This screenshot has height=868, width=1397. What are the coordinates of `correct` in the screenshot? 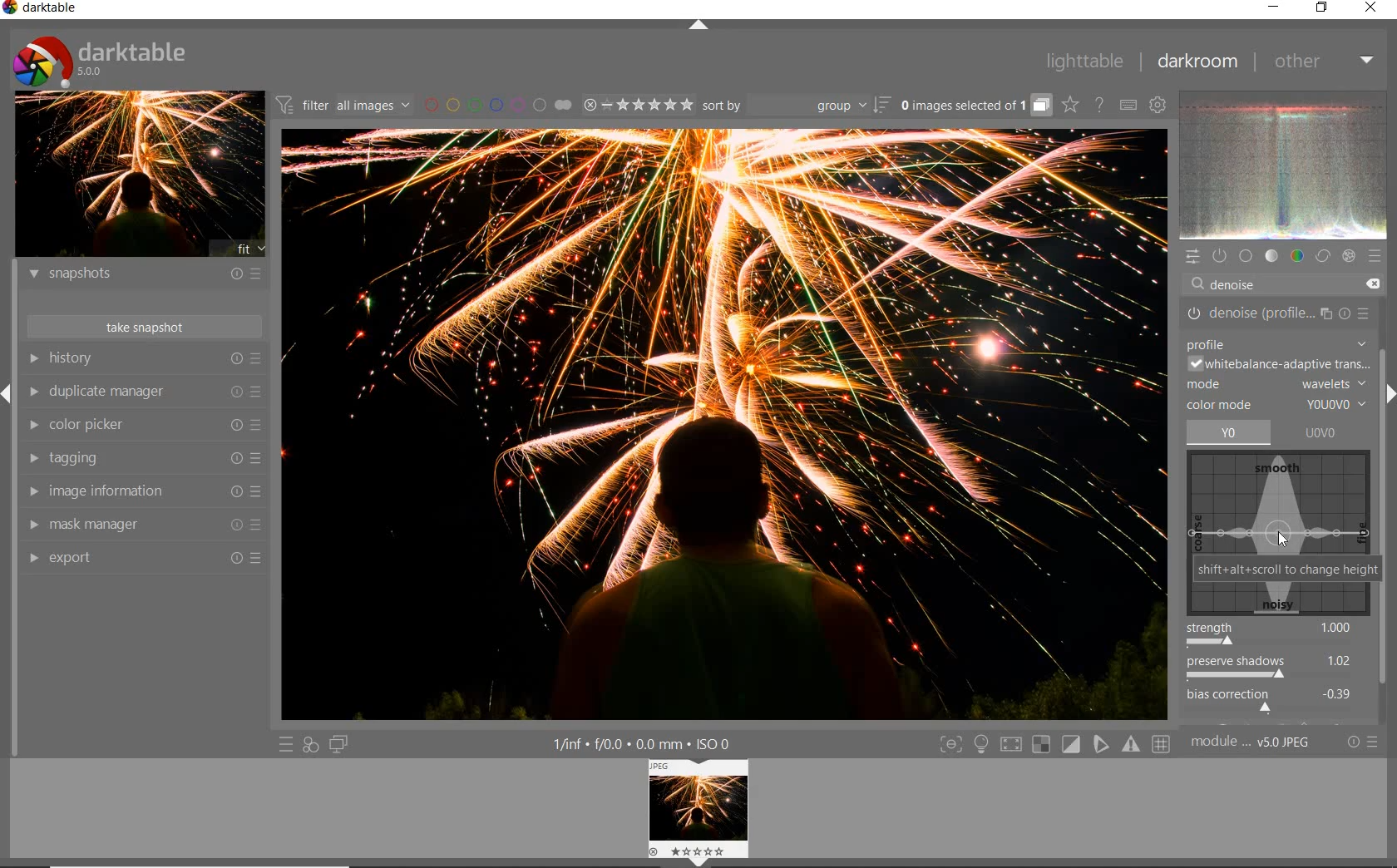 It's located at (1323, 257).